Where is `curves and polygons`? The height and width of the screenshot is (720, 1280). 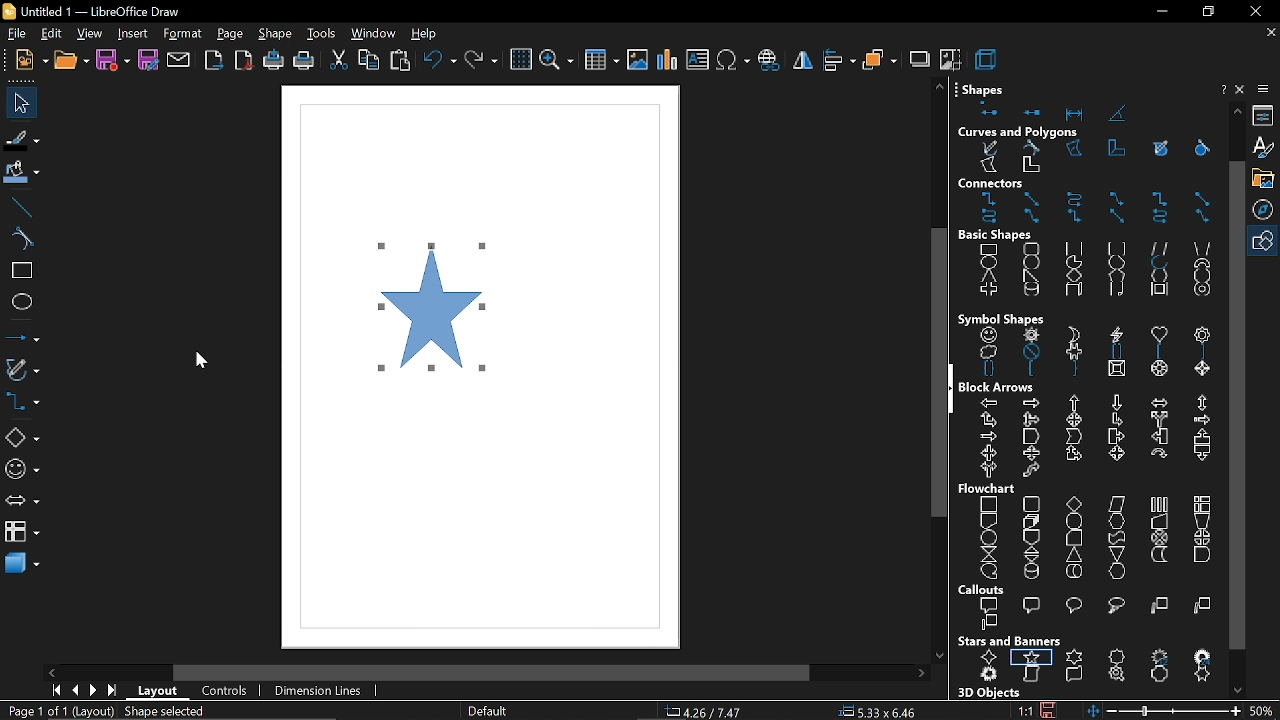
curves and polygons is located at coordinates (23, 371).